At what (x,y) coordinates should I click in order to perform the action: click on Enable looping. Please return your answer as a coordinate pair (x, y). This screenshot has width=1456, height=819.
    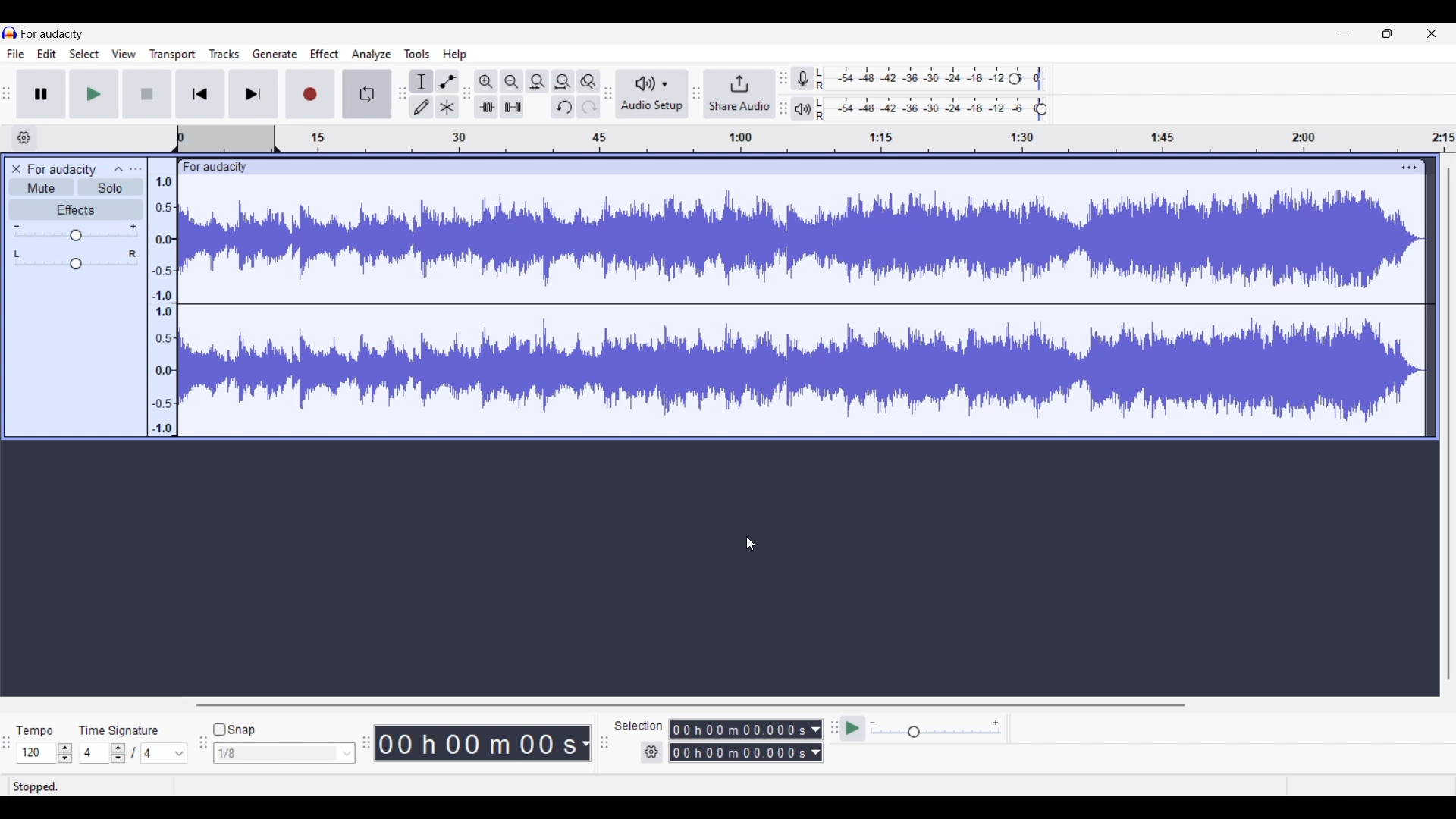
    Looking at the image, I should click on (366, 94).